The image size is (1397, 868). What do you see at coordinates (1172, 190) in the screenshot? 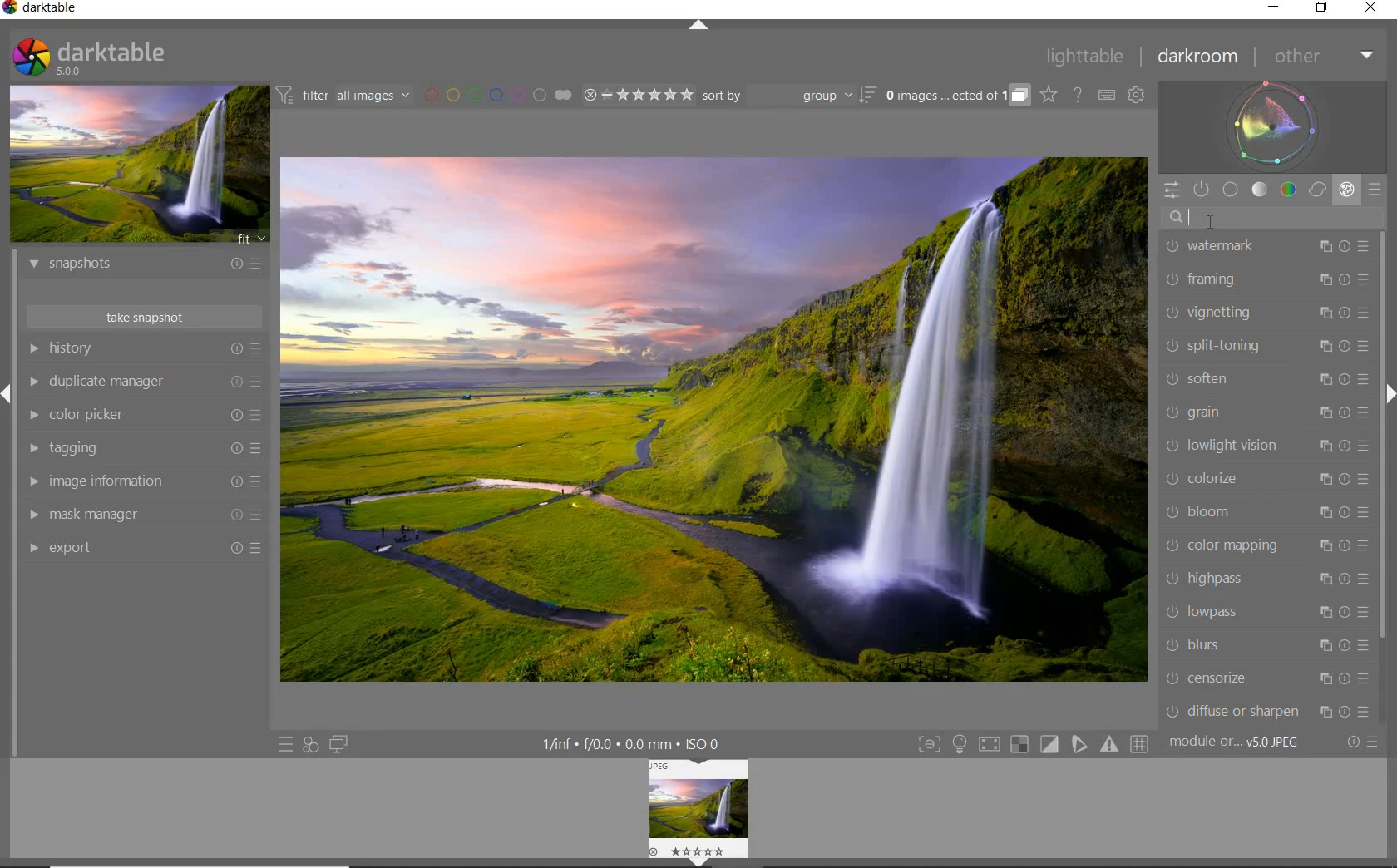
I see `QUICK ACCESS PANEL` at bounding box center [1172, 190].